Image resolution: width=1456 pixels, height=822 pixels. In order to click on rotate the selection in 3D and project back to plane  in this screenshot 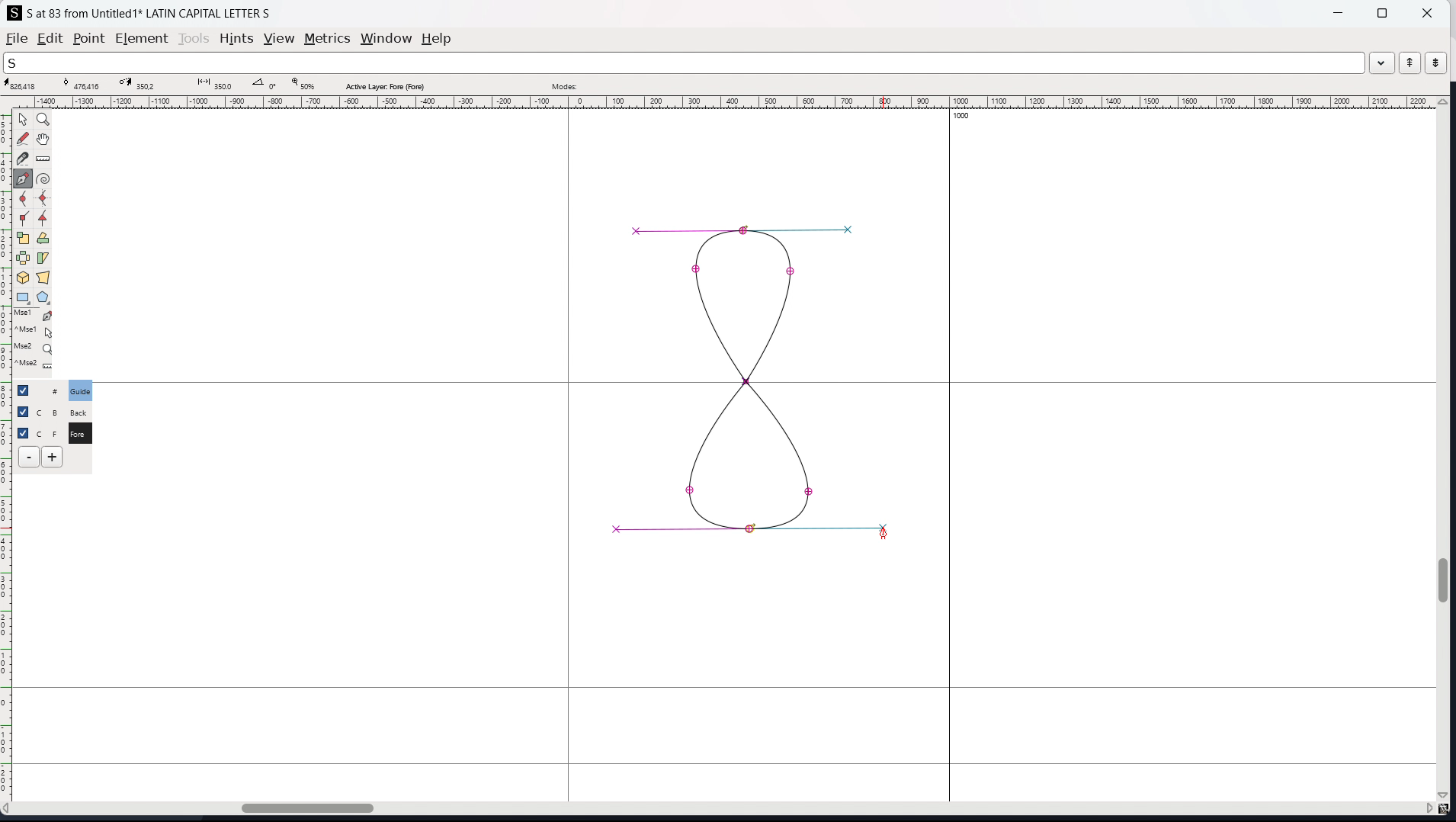, I will do `click(23, 278)`.